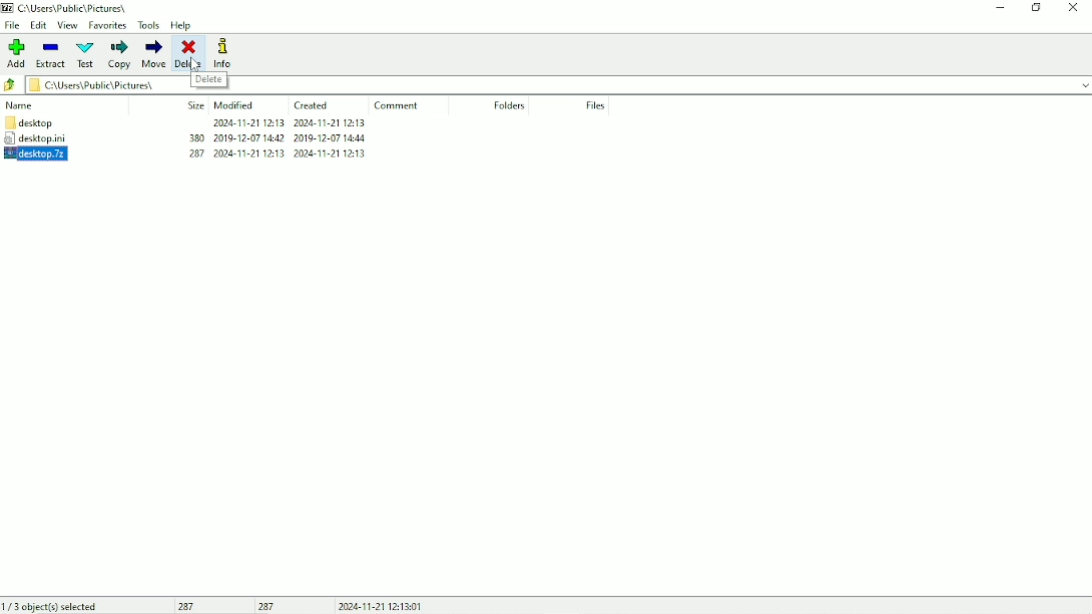 The image size is (1092, 614). What do you see at coordinates (210, 81) in the screenshot?
I see `Delete` at bounding box center [210, 81].